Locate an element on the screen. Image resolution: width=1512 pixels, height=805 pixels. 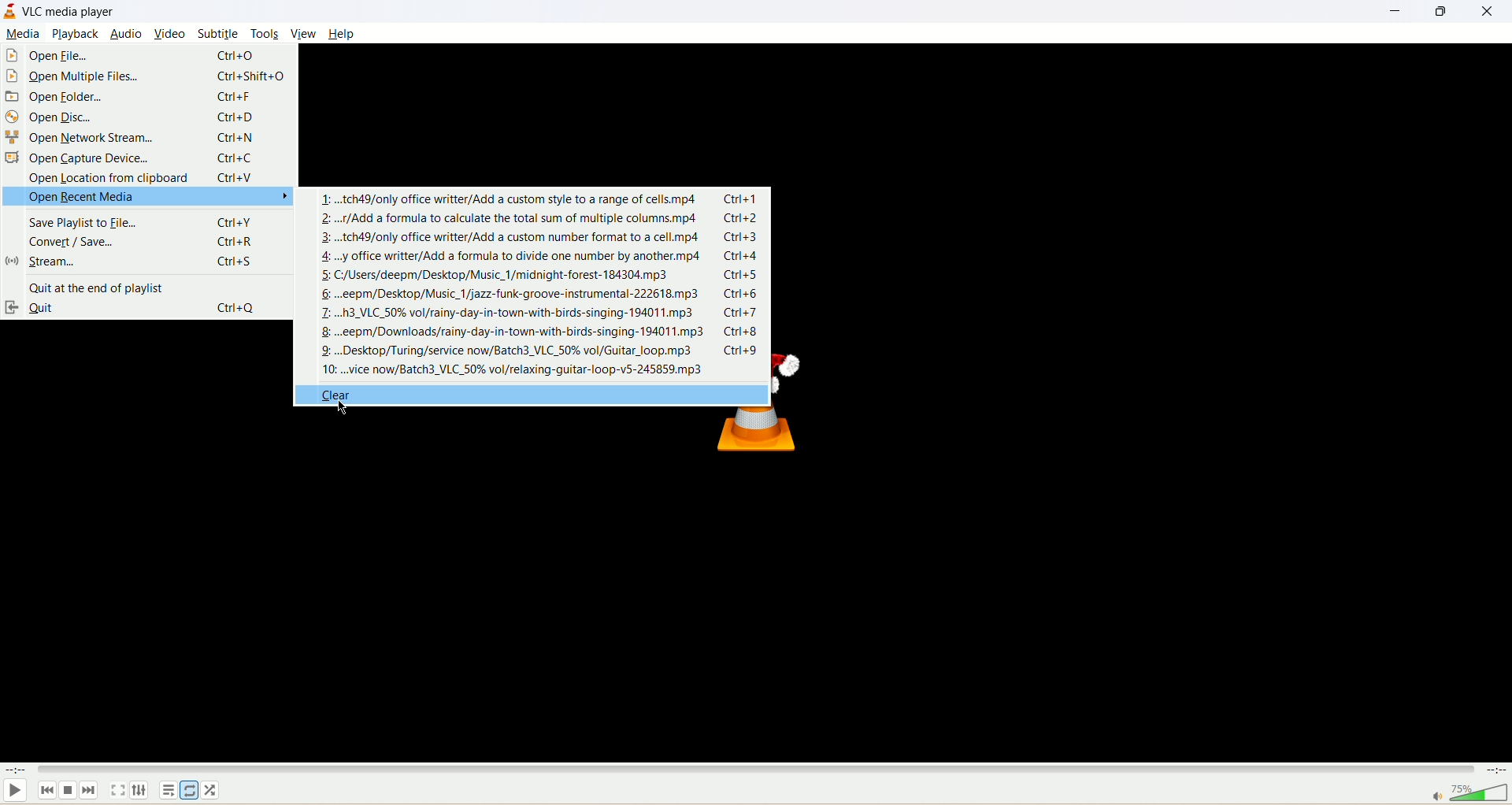
ctrl+D is located at coordinates (236, 117).